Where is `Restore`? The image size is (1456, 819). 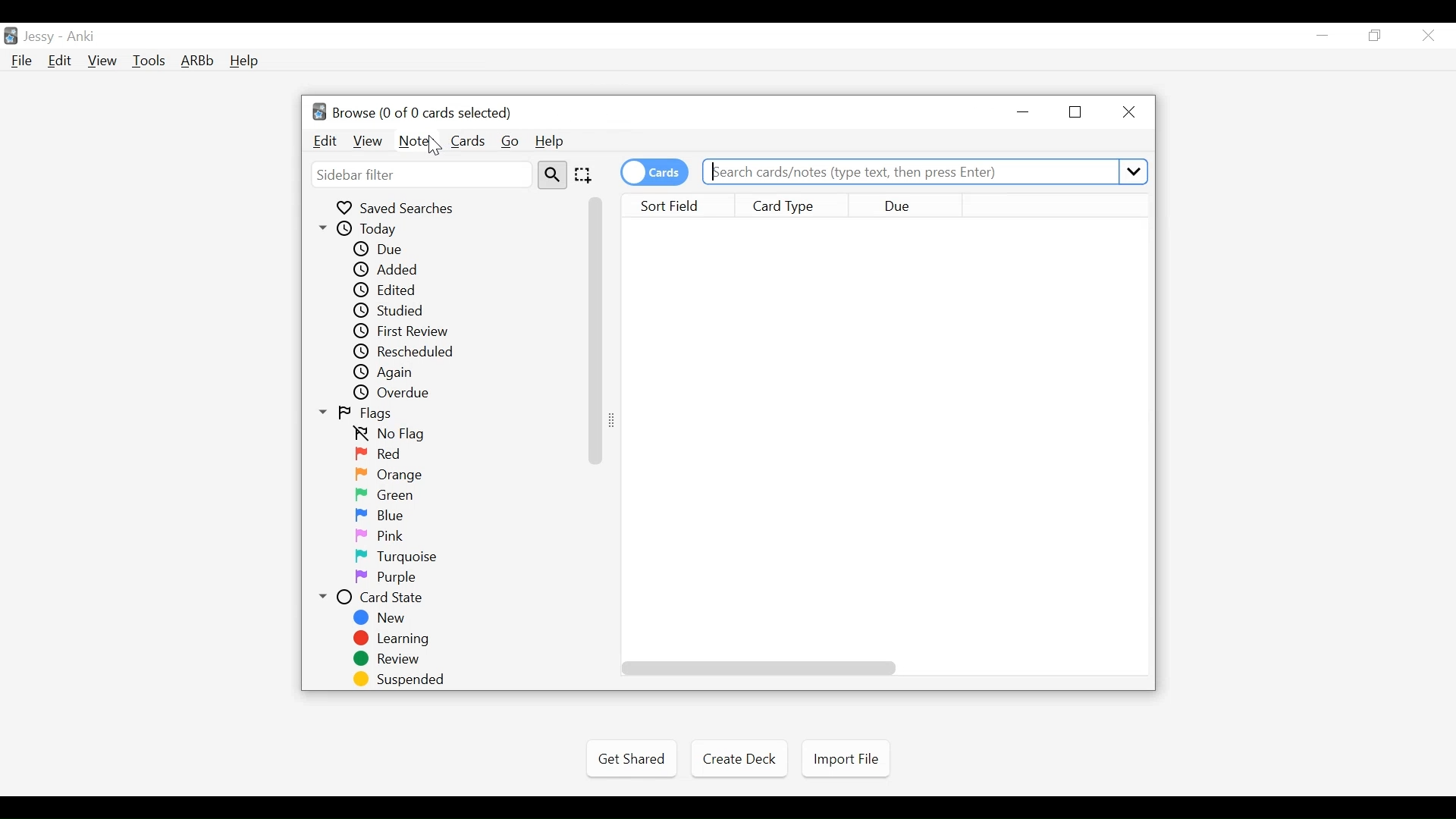
Restore is located at coordinates (1077, 112).